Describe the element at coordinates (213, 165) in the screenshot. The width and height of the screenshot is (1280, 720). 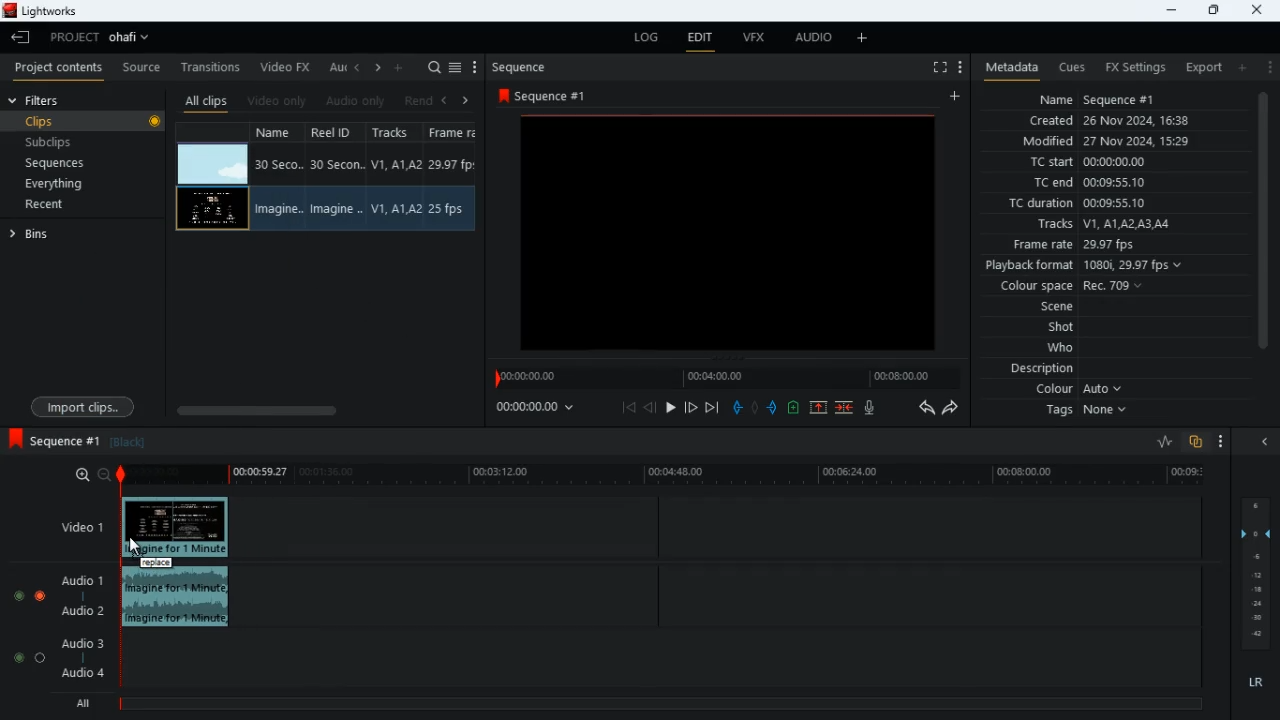
I see `image` at that location.